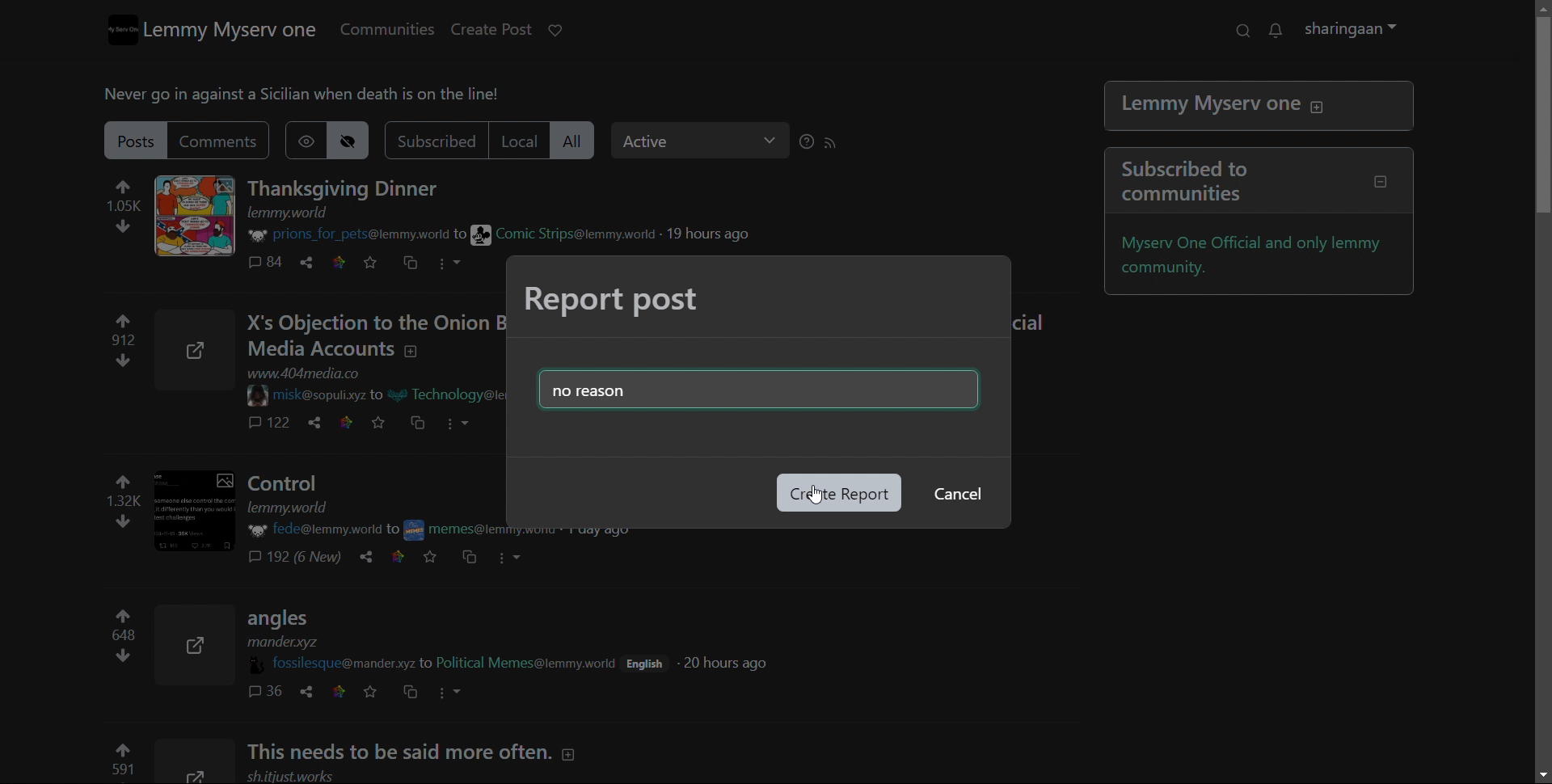 This screenshot has height=784, width=1552. I want to click on subscribed, so click(443, 141).